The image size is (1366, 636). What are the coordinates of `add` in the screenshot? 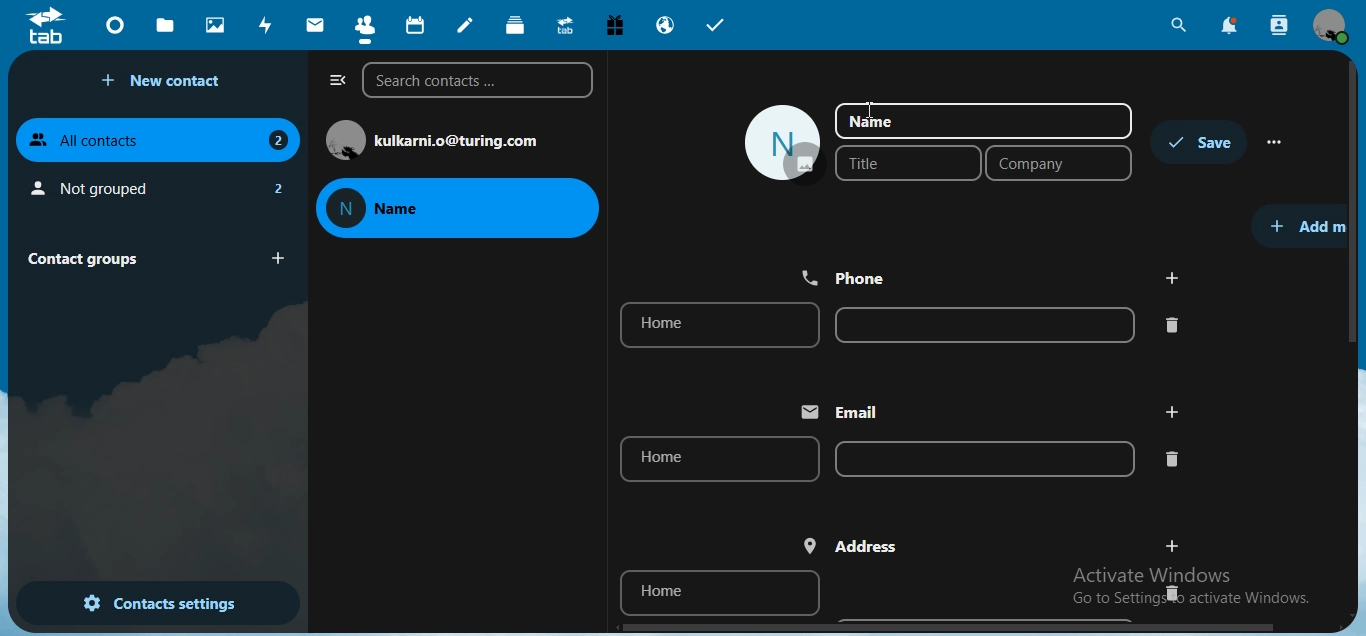 It's located at (1170, 411).